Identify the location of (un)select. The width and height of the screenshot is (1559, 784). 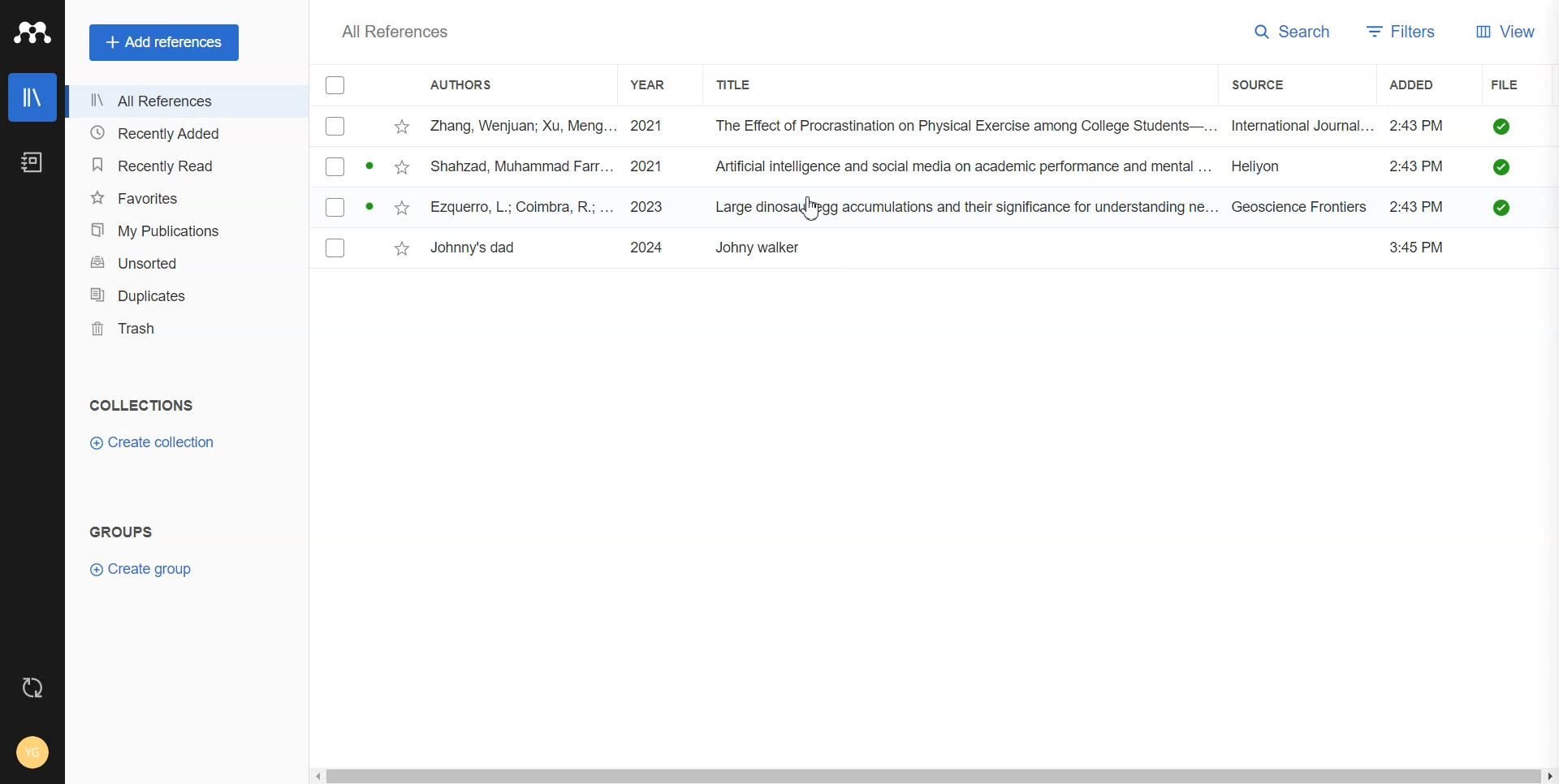
(334, 127).